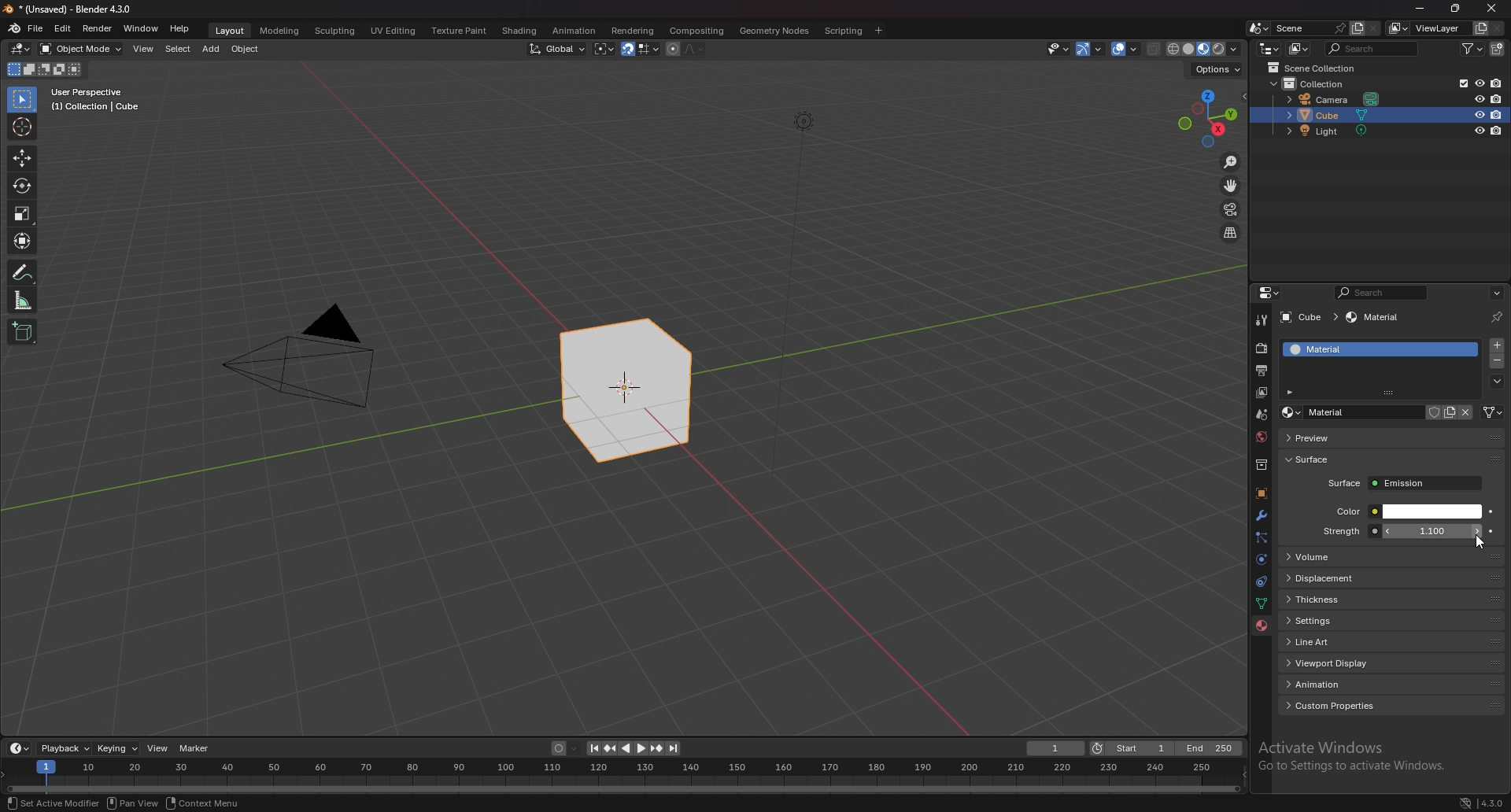  What do you see at coordinates (1479, 98) in the screenshot?
I see `hide in viewport` at bounding box center [1479, 98].